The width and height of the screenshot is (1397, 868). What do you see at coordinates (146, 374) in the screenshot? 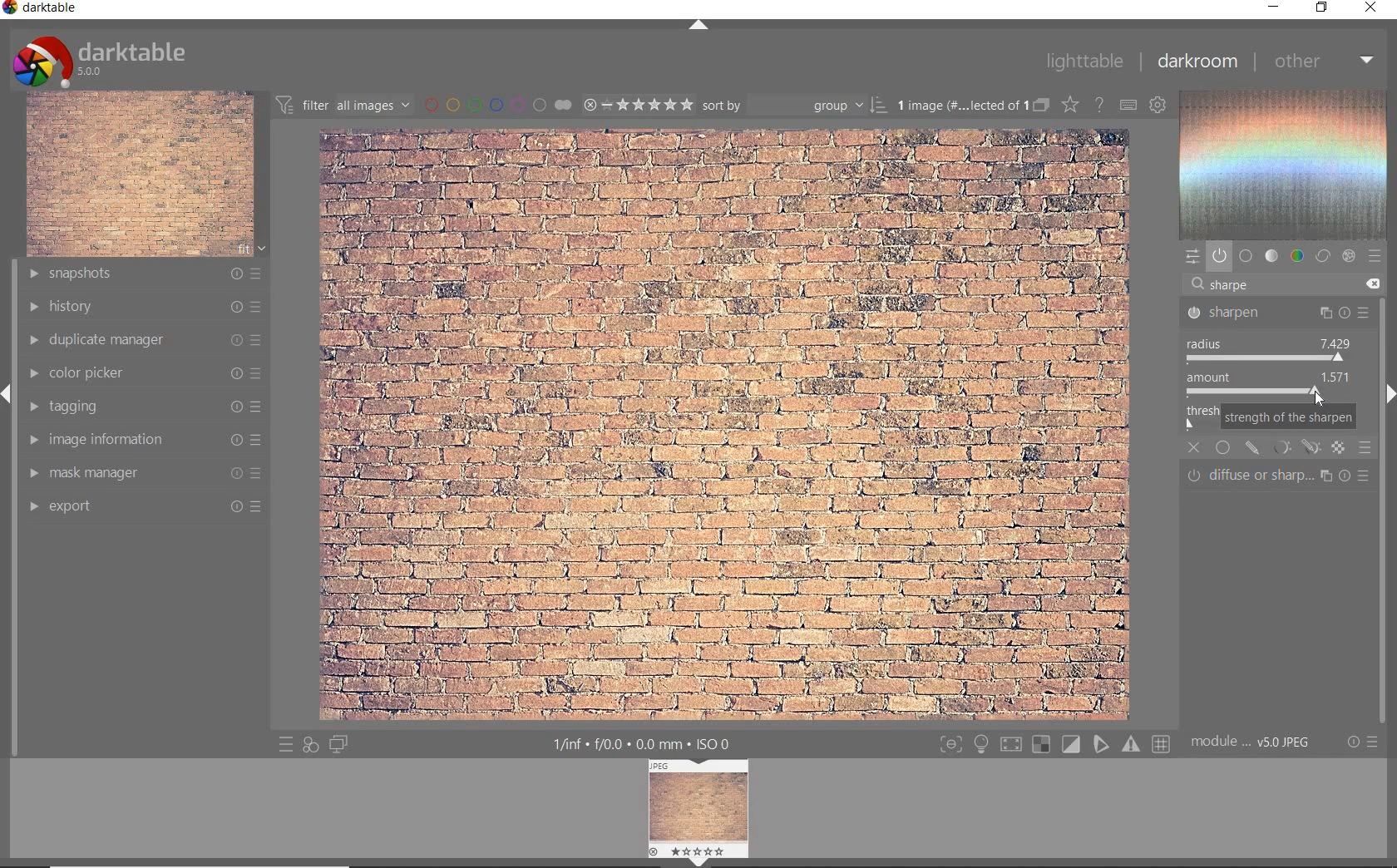
I see `color picker` at bounding box center [146, 374].